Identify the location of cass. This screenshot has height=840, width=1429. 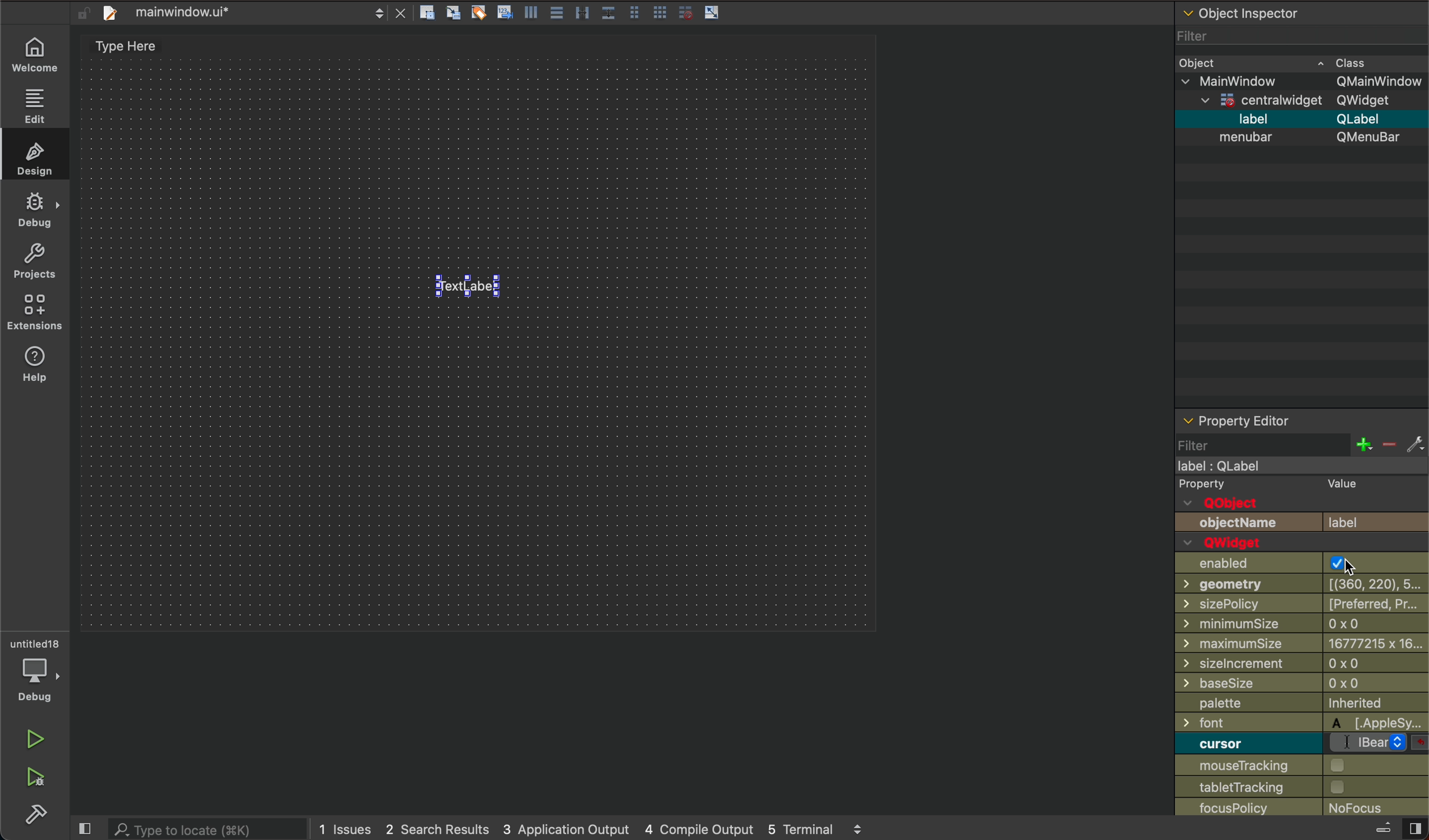
(1359, 60).